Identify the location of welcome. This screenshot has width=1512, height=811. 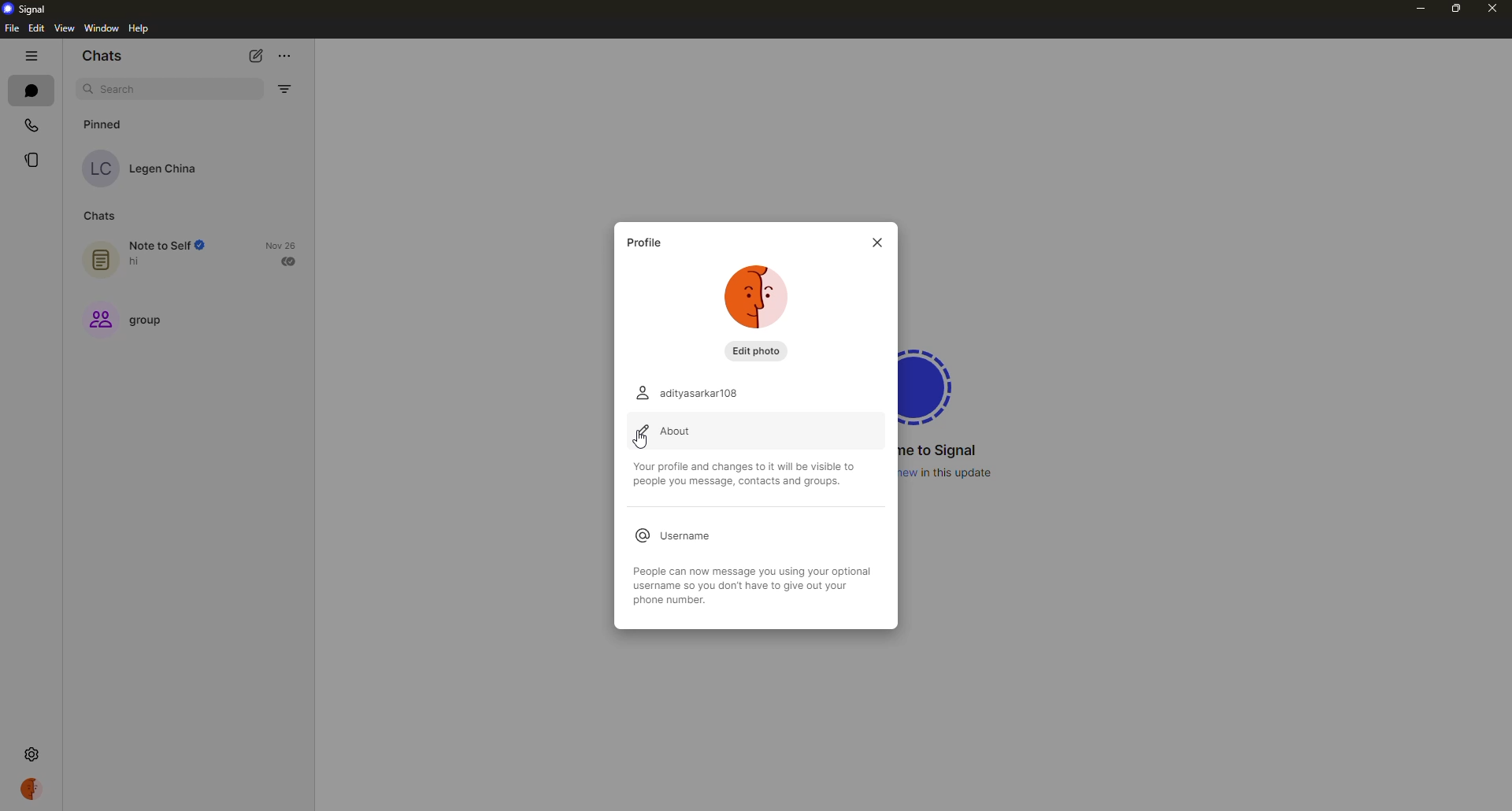
(942, 450).